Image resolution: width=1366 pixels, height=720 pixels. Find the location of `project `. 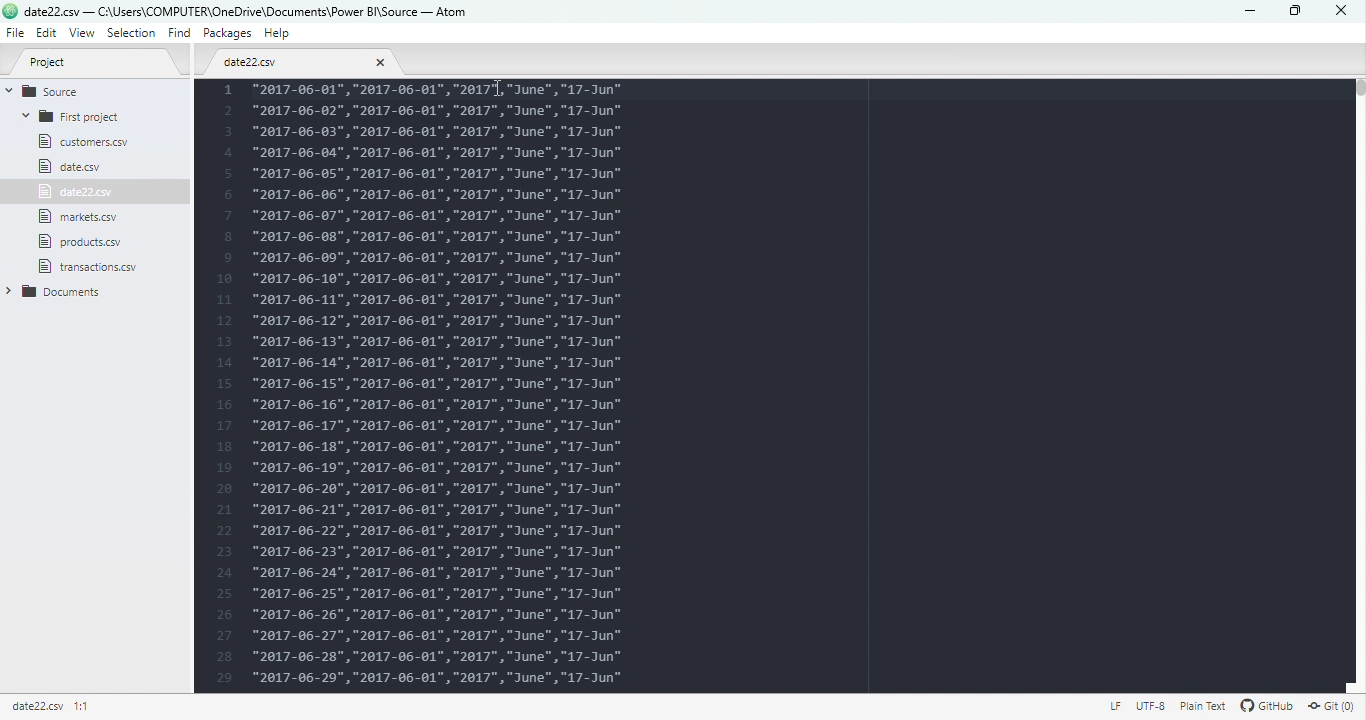

project  is located at coordinates (96, 61).